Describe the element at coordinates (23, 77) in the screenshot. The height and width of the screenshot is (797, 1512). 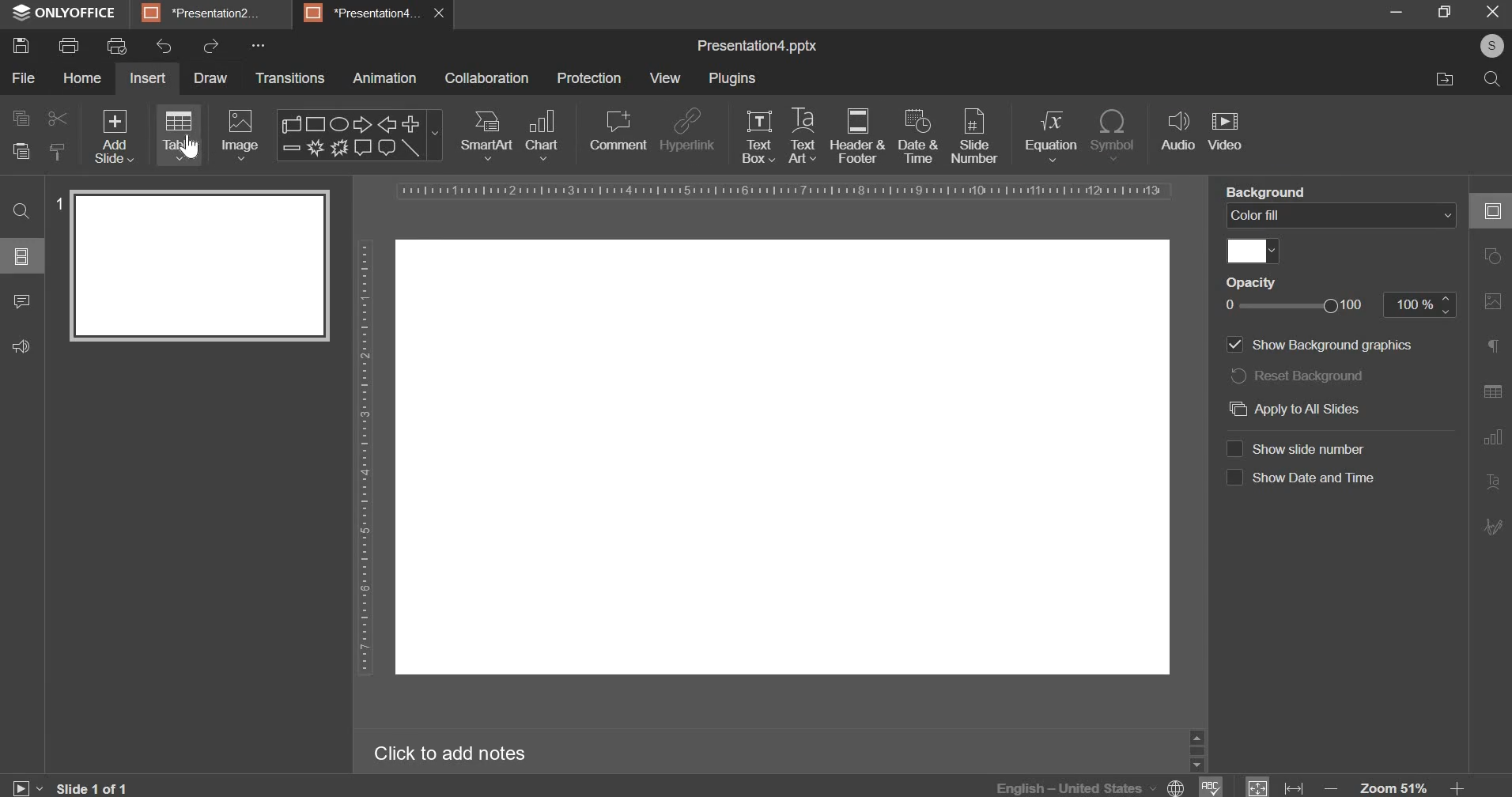
I see `file` at that location.